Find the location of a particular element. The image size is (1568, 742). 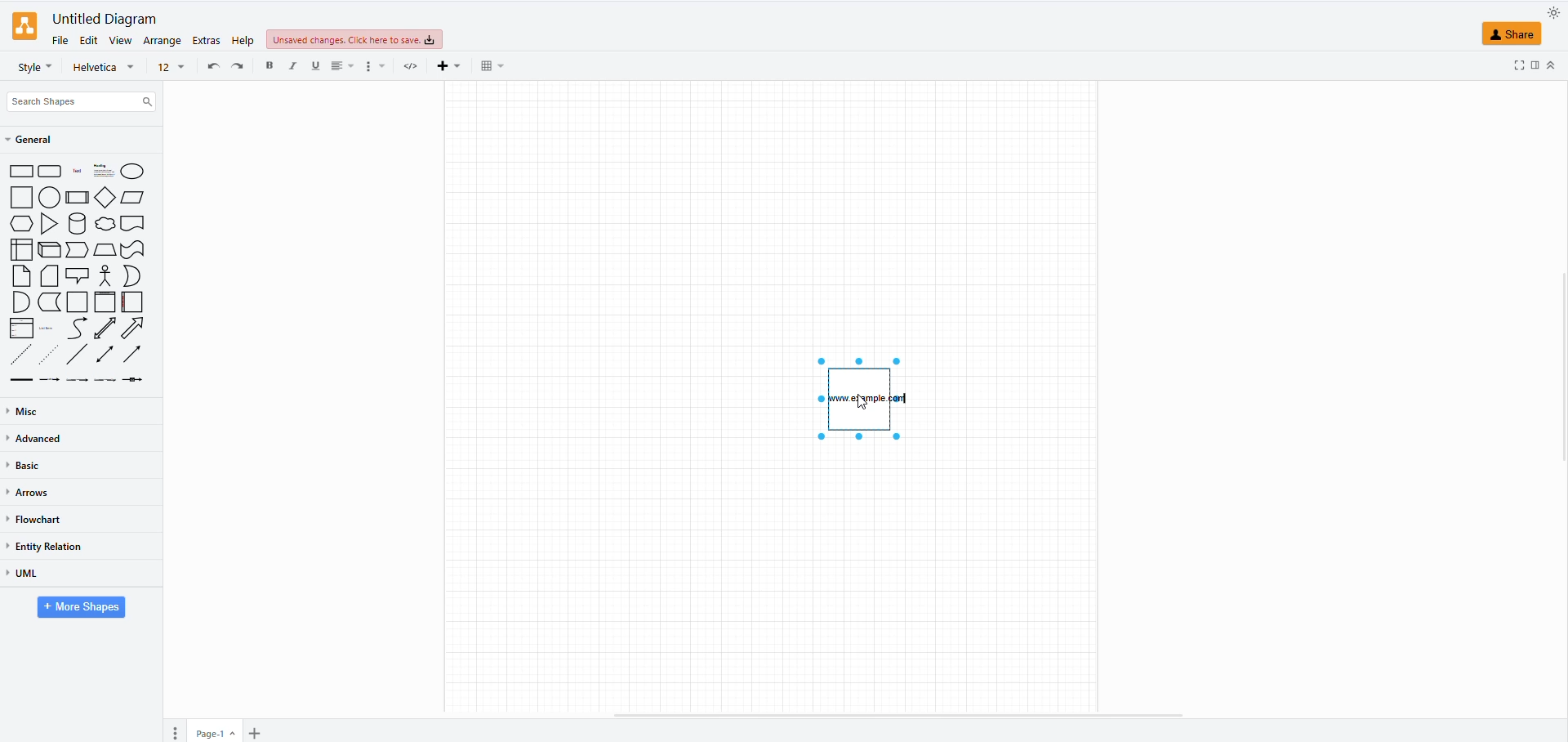

html is located at coordinates (413, 65).